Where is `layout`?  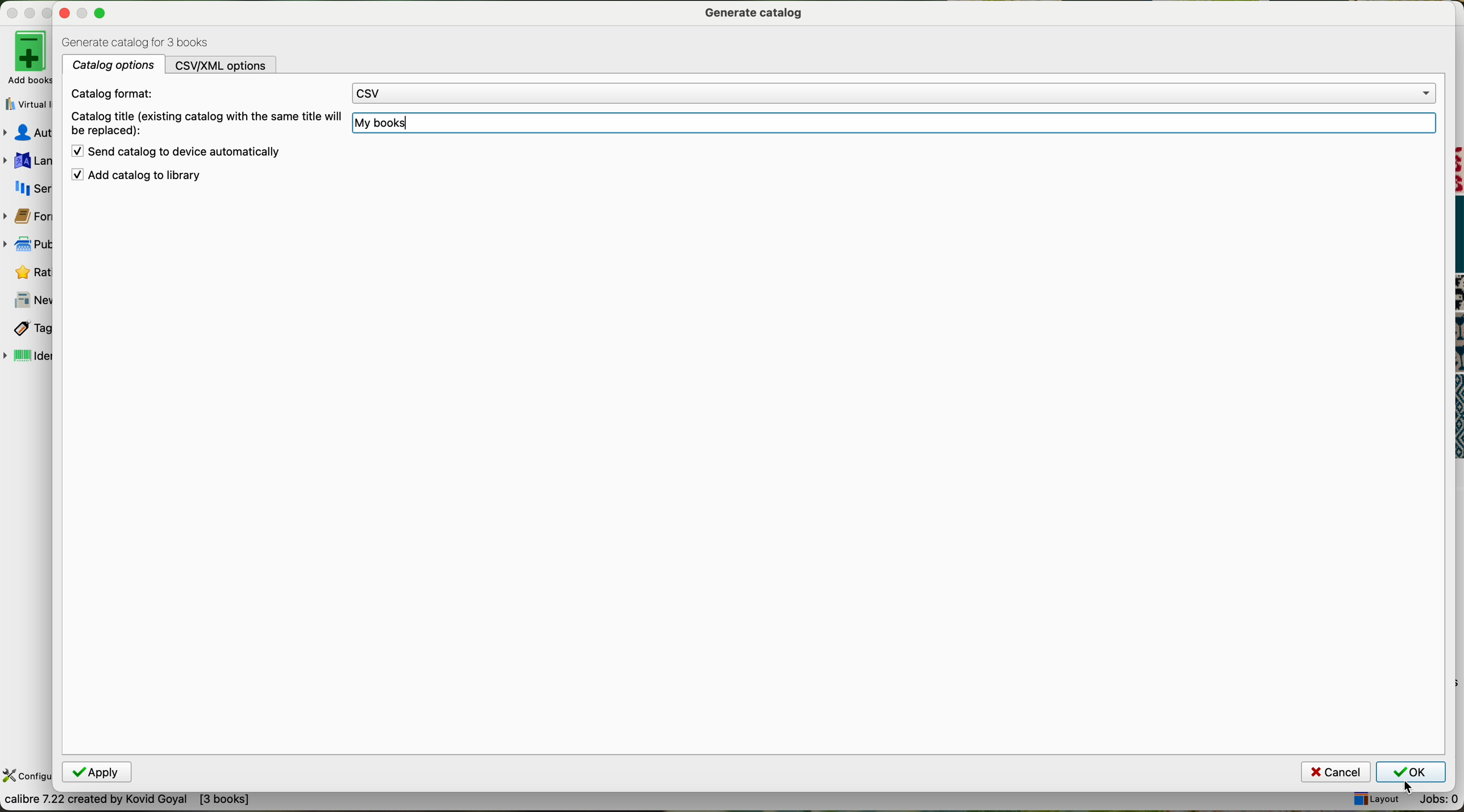
layout is located at coordinates (1373, 798).